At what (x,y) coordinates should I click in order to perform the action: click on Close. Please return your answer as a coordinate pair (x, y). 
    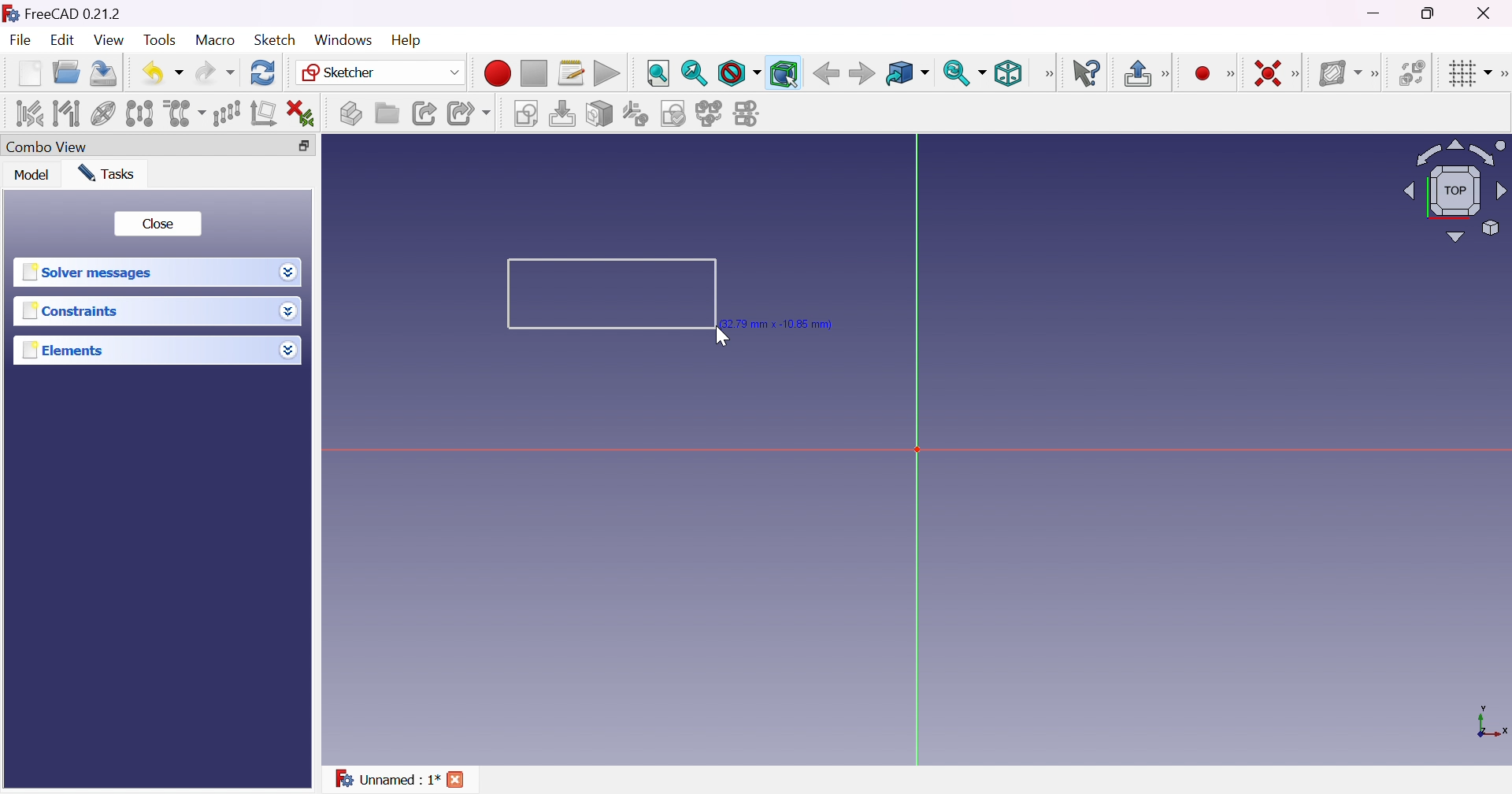
    Looking at the image, I should click on (1486, 14).